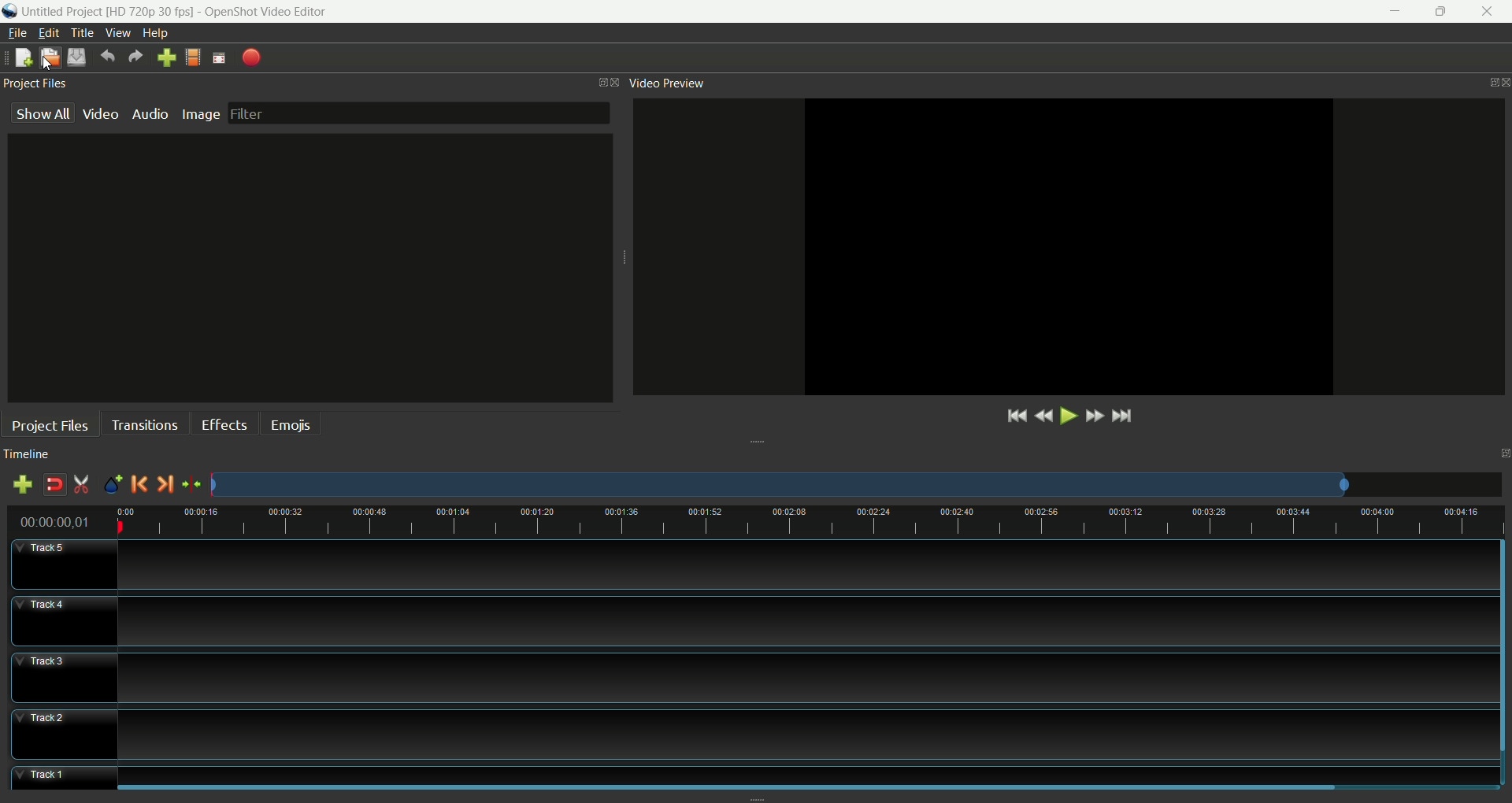 The width and height of the screenshot is (1512, 803). I want to click on filter, so click(419, 113).